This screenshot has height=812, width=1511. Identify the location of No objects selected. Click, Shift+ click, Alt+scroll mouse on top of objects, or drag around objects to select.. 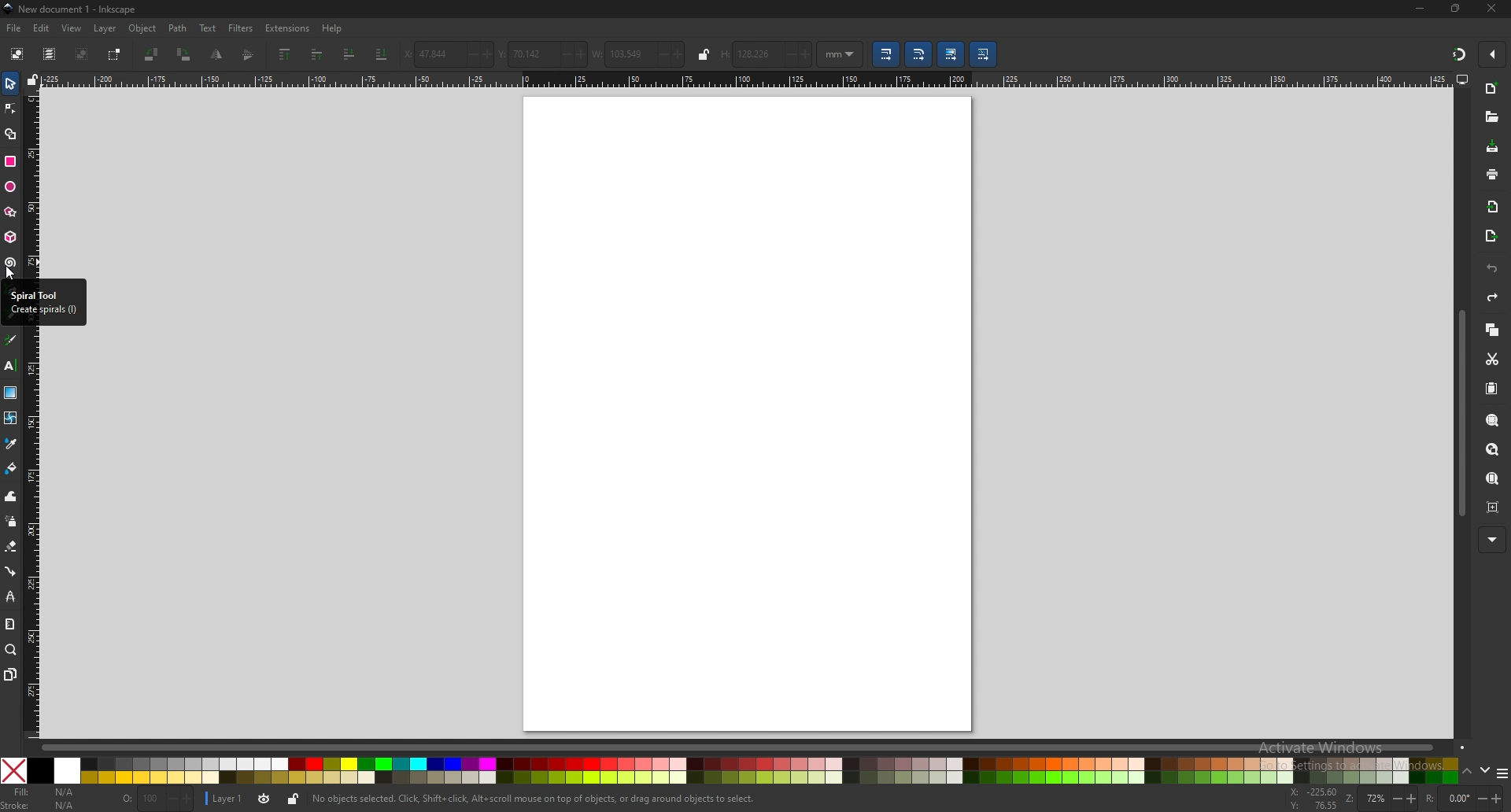
(533, 798).